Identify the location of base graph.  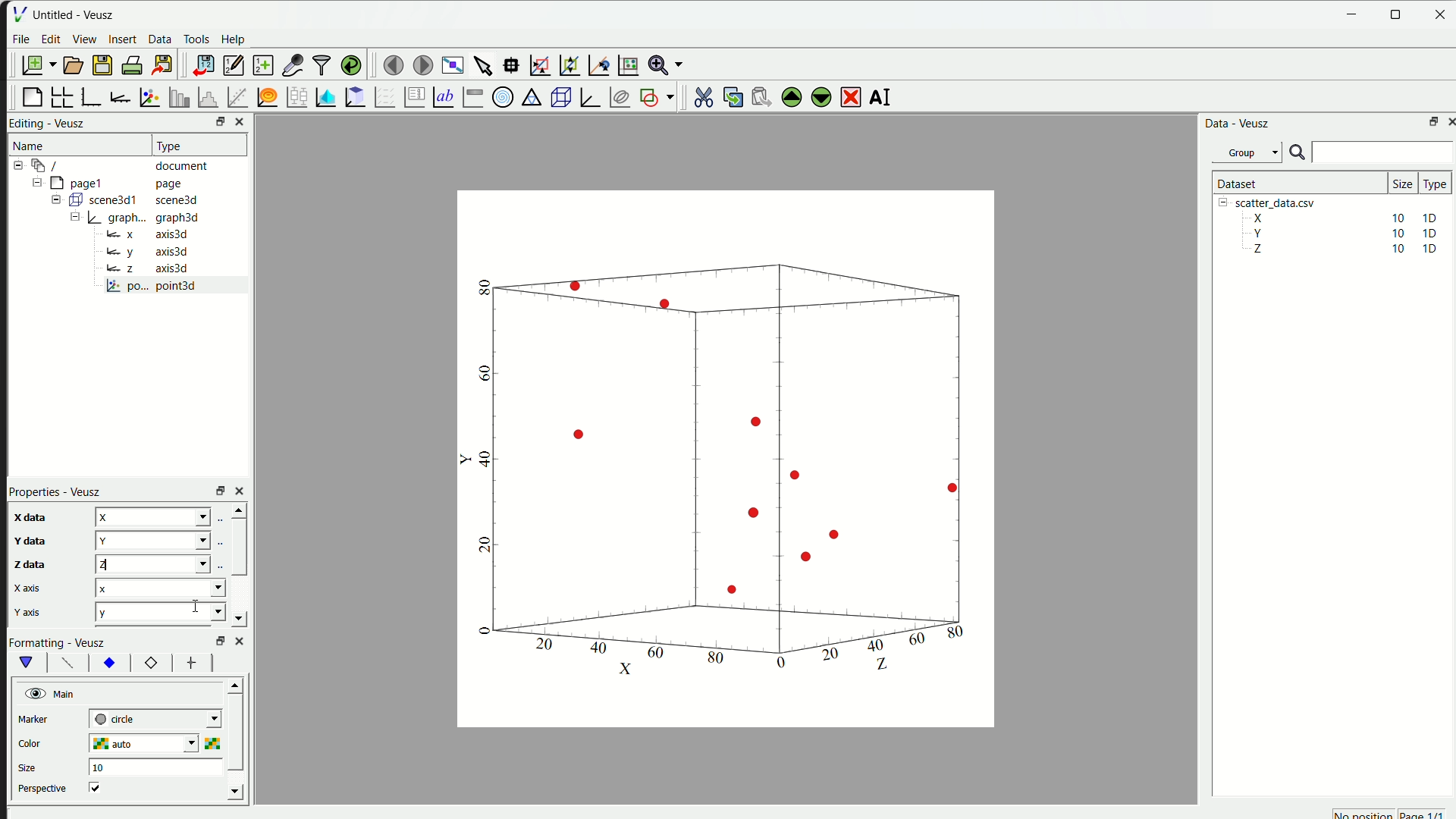
(91, 96).